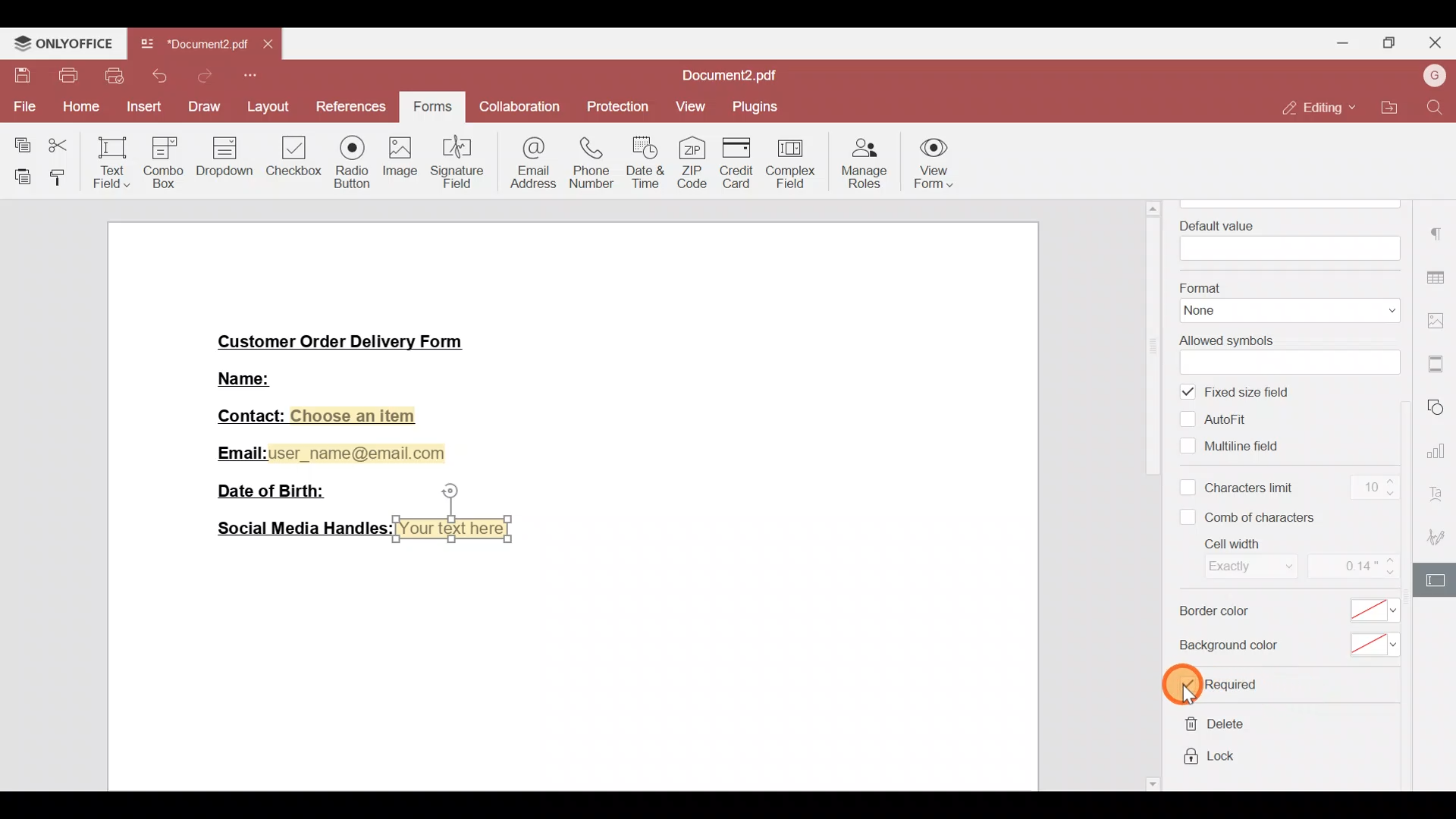  Describe the element at coordinates (1436, 108) in the screenshot. I see `Find` at that location.